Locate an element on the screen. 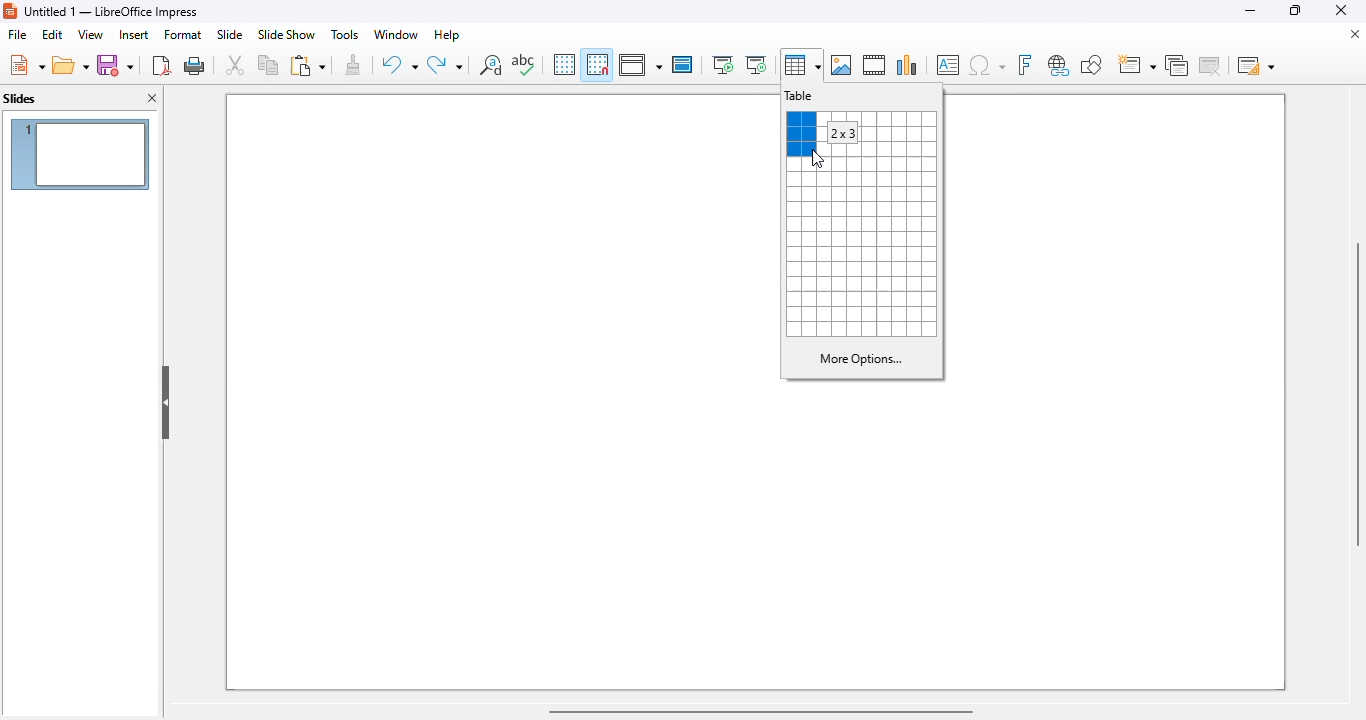 The width and height of the screenshot is (1366, 720). cut is located at coordinates (236, 65).